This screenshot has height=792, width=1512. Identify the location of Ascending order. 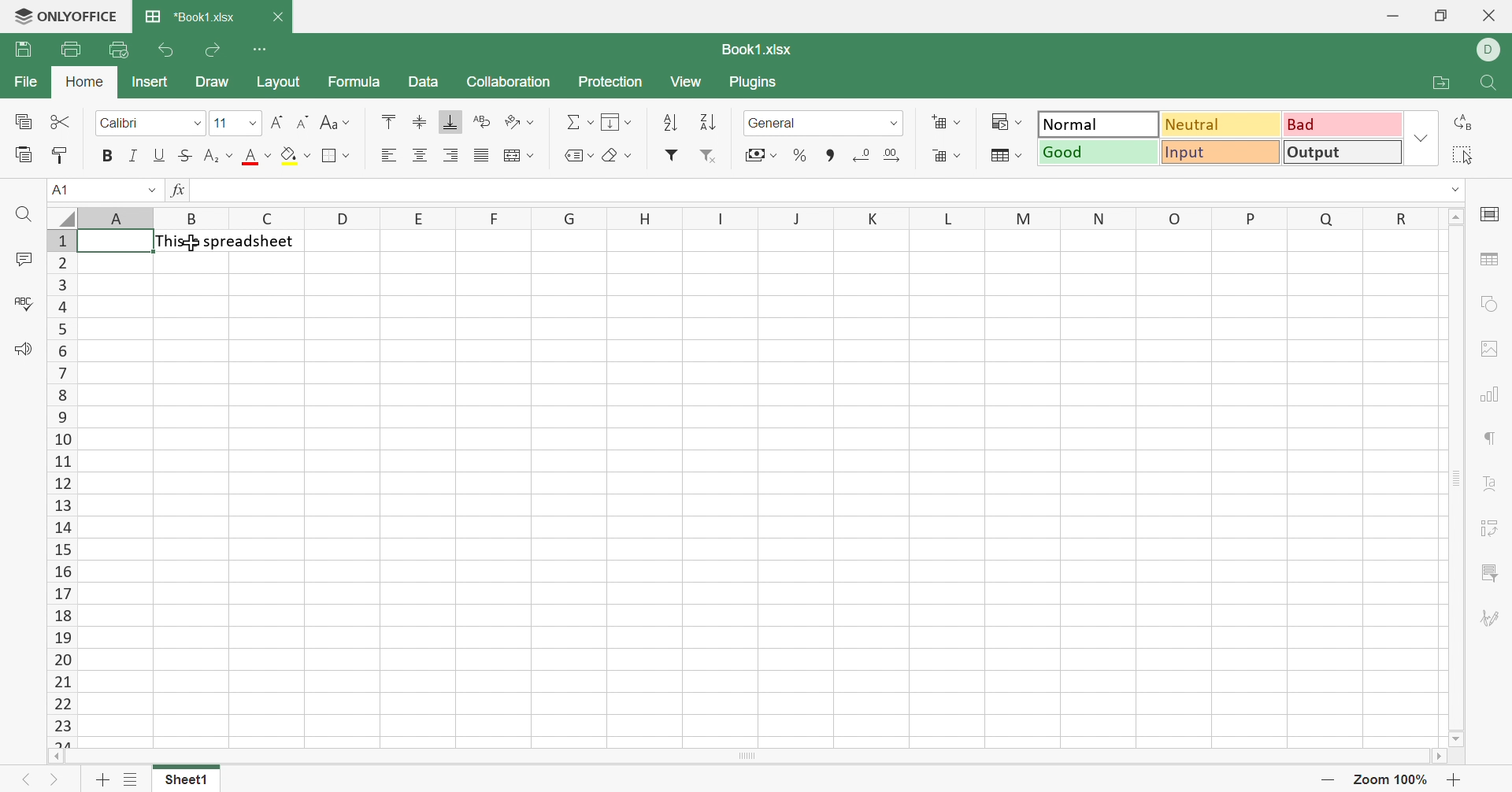
(672, 122).